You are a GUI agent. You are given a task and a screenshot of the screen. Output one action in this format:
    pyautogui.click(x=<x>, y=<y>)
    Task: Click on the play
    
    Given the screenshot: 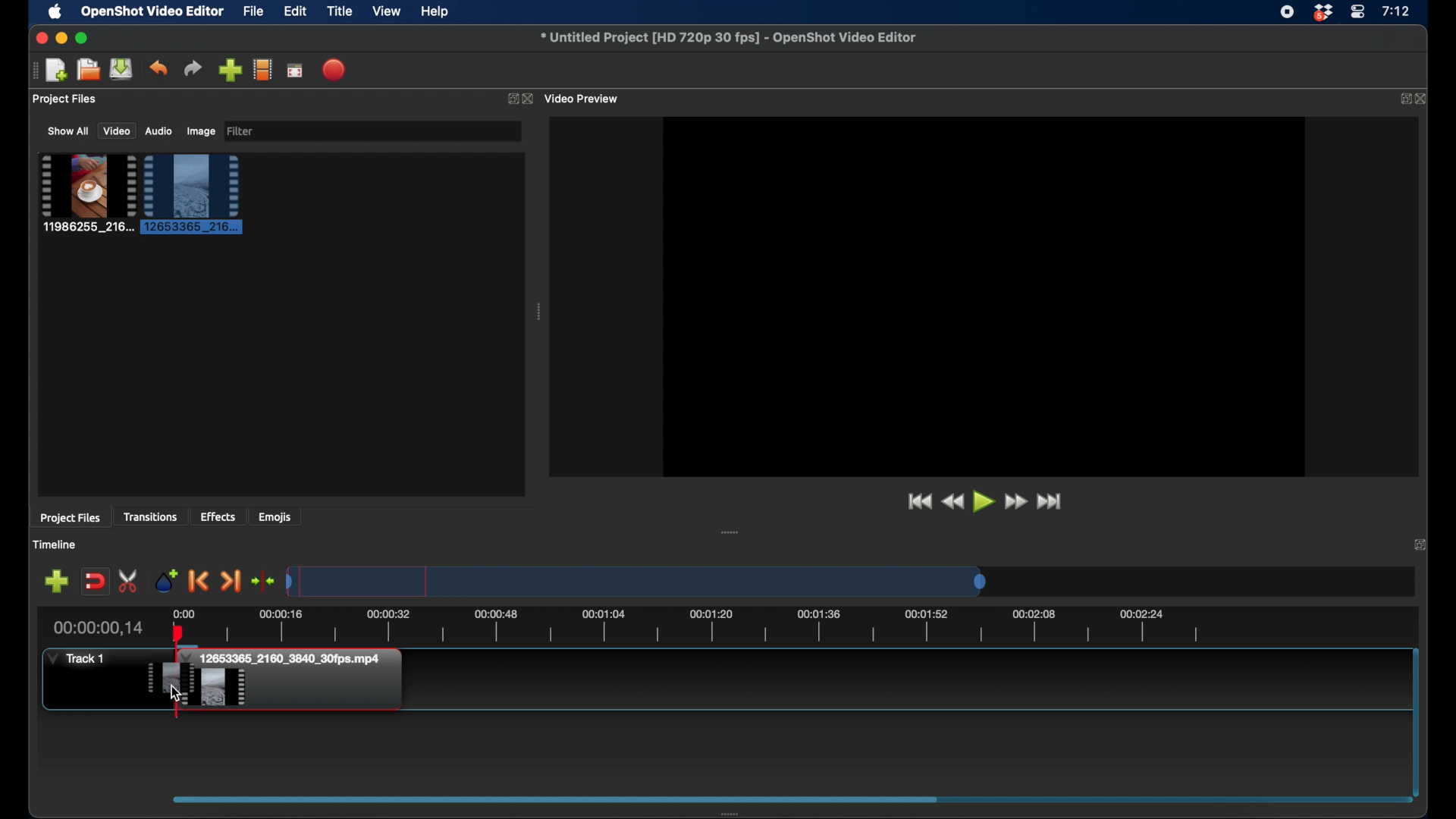 What is the action you would take?
    pyautogui.click(x=984, y=504)
    